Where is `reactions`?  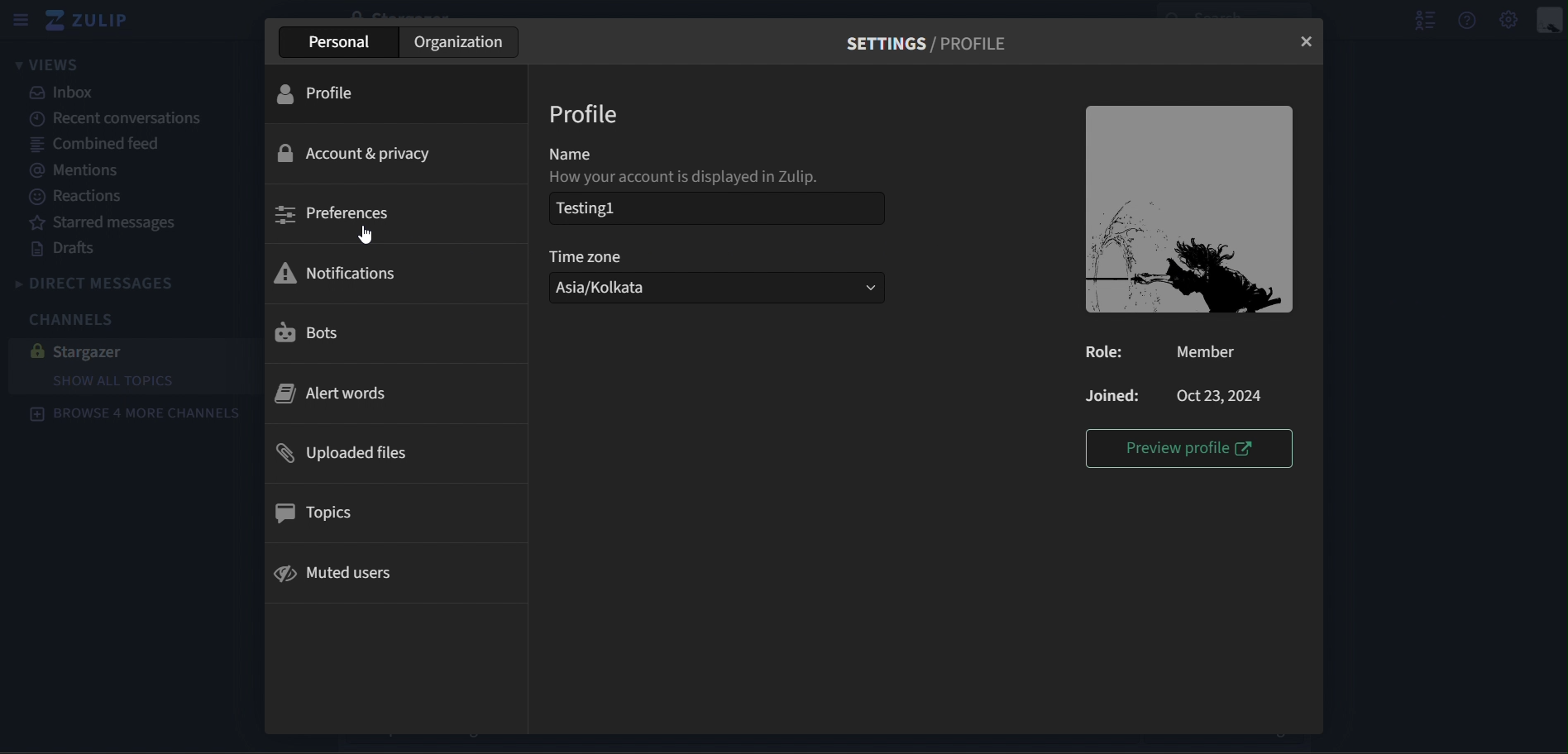
reactions is located at coordinates (79, 199).